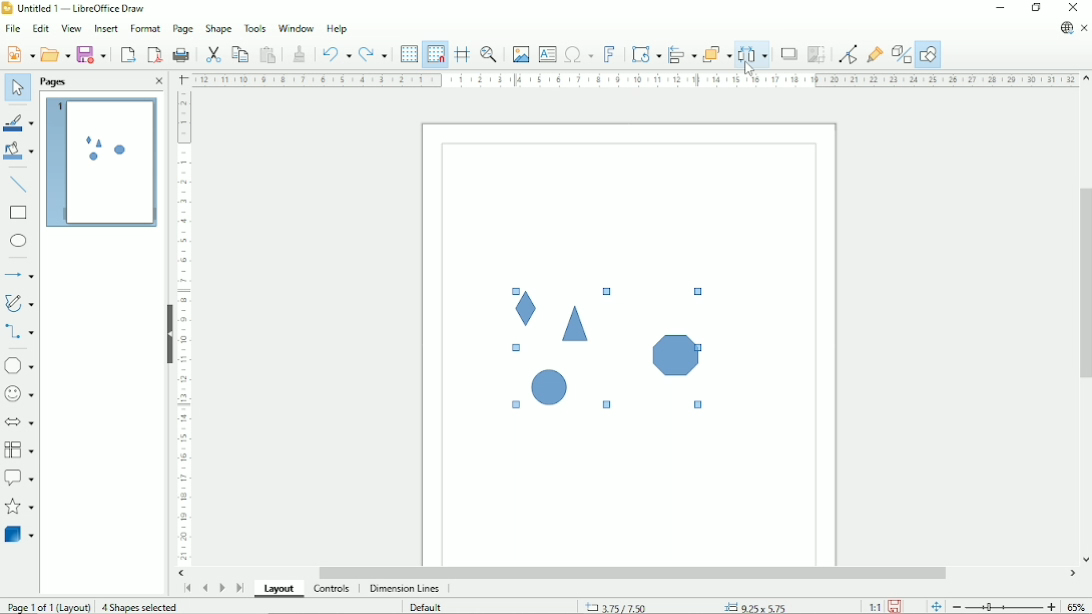  What do you see at coordinates (20, 153) in the screenshot?
I see `Fill color` at bounding box center [20, 153].